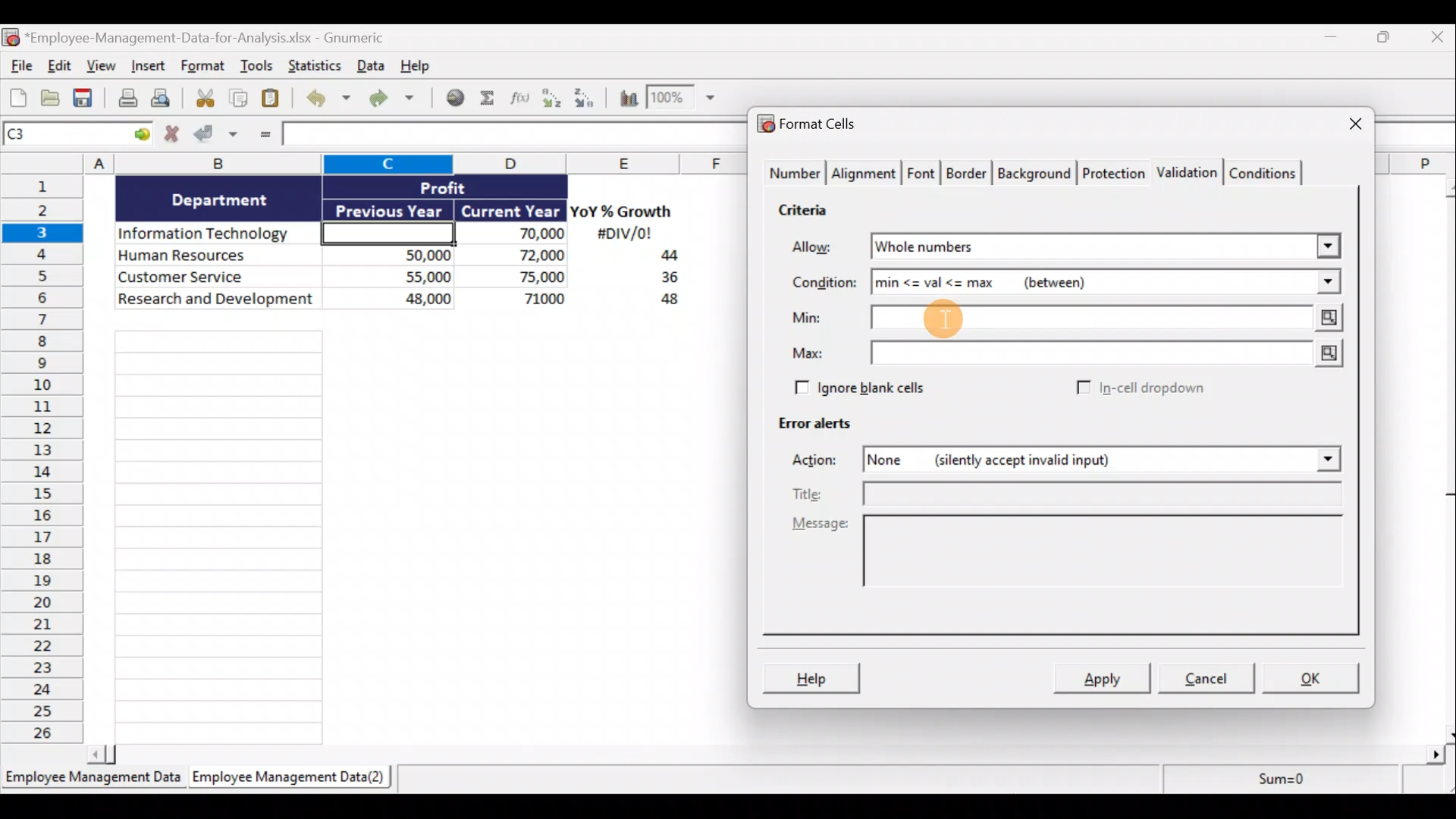  What do you see at coordinates (882, 388) in the screenshot?
I see `Ignore blank cells` at bounding box center [882, 388].